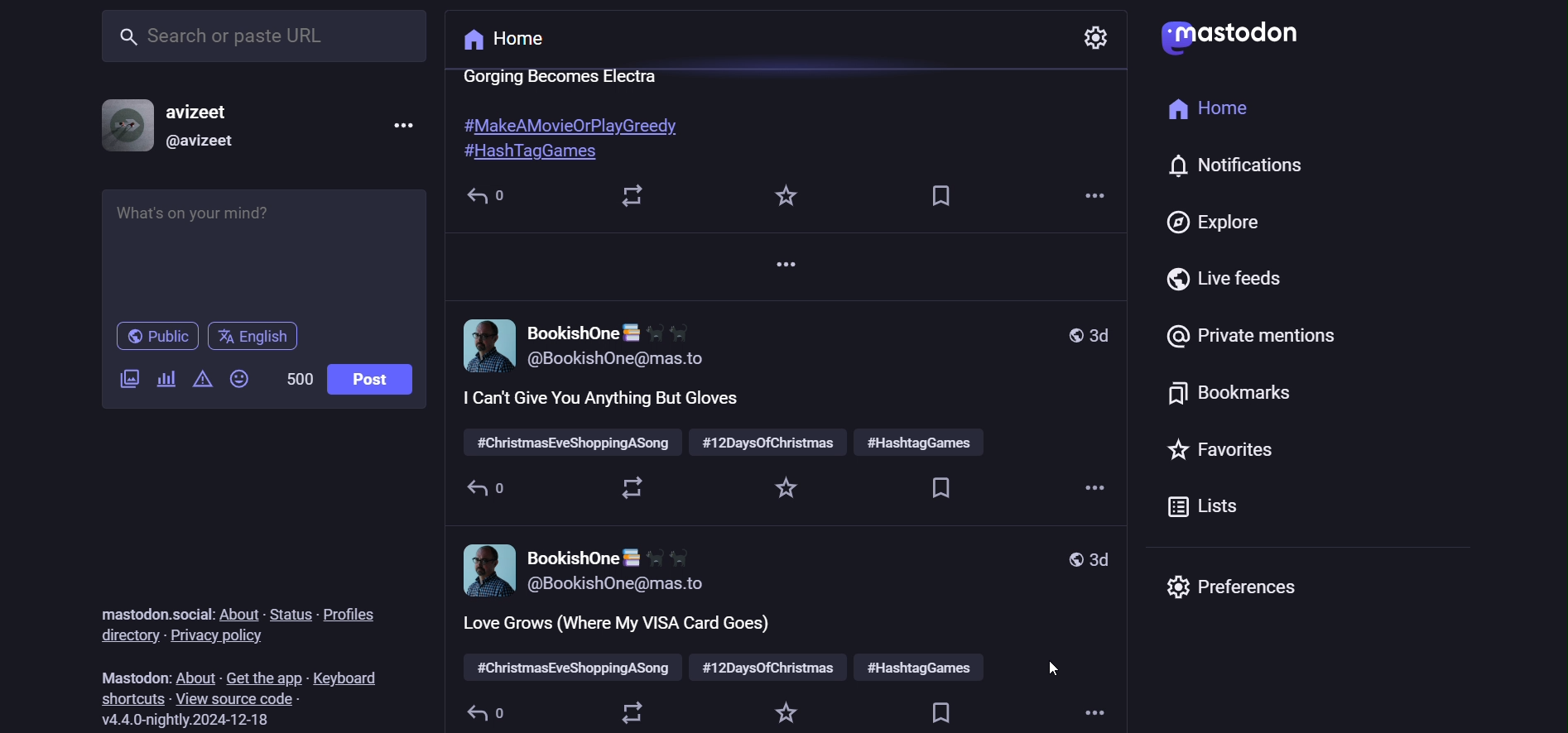  Describe the element at coordinates (569, 669) in the screenshot. I see `#ChristmasEveShoppingASong` at that location.